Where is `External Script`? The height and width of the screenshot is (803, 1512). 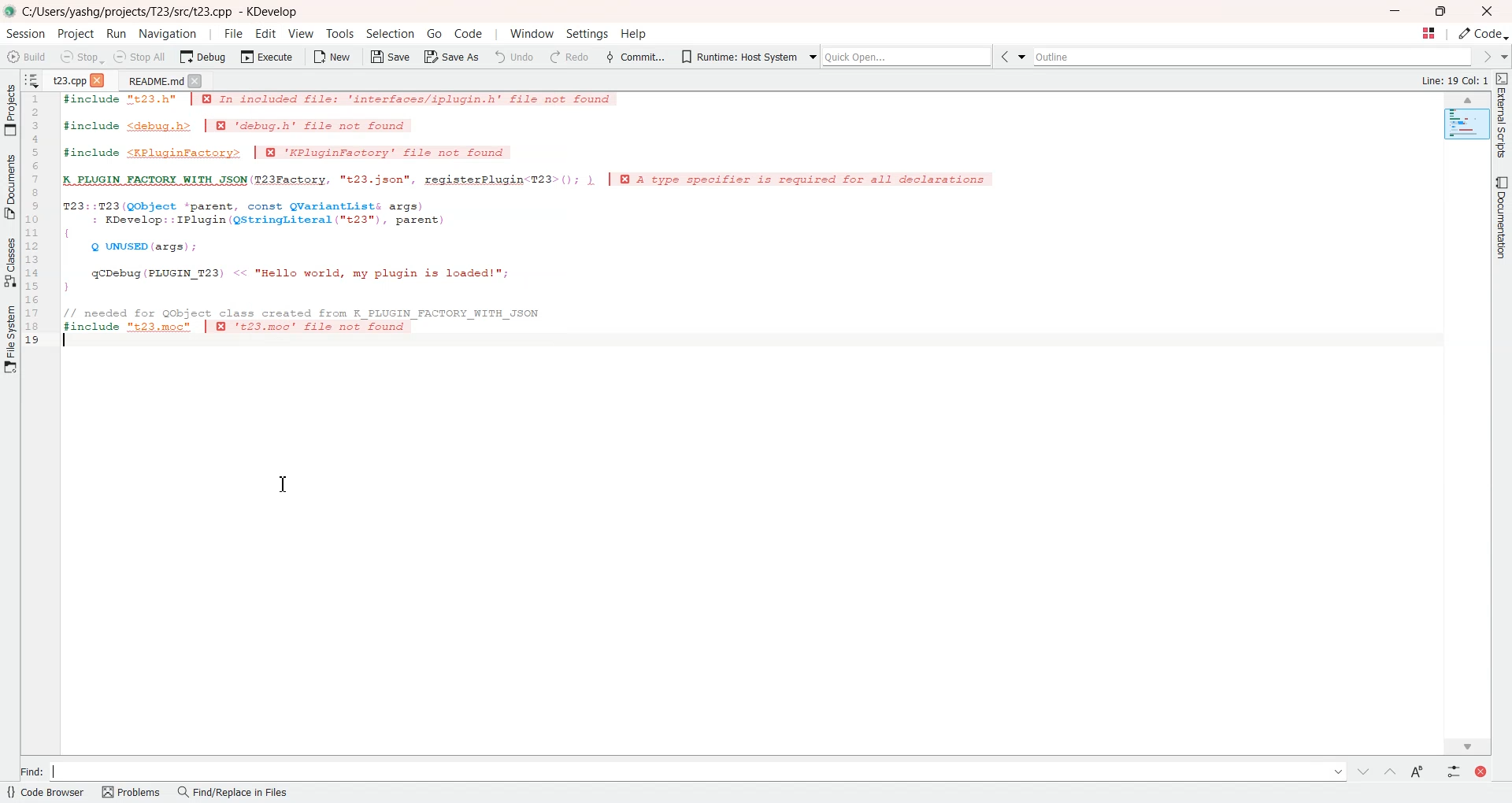
External Script is located at coordinates (1503, 117).